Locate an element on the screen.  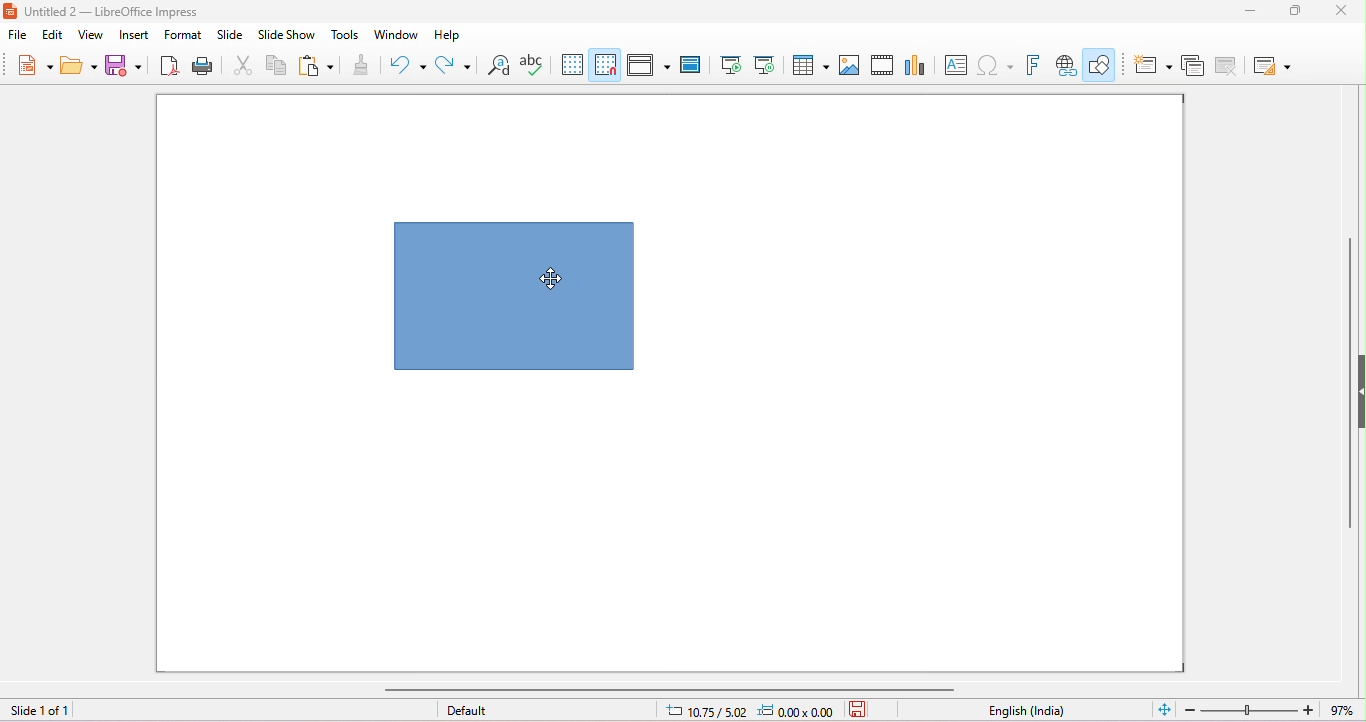
save is located at coordinates (862, 708).